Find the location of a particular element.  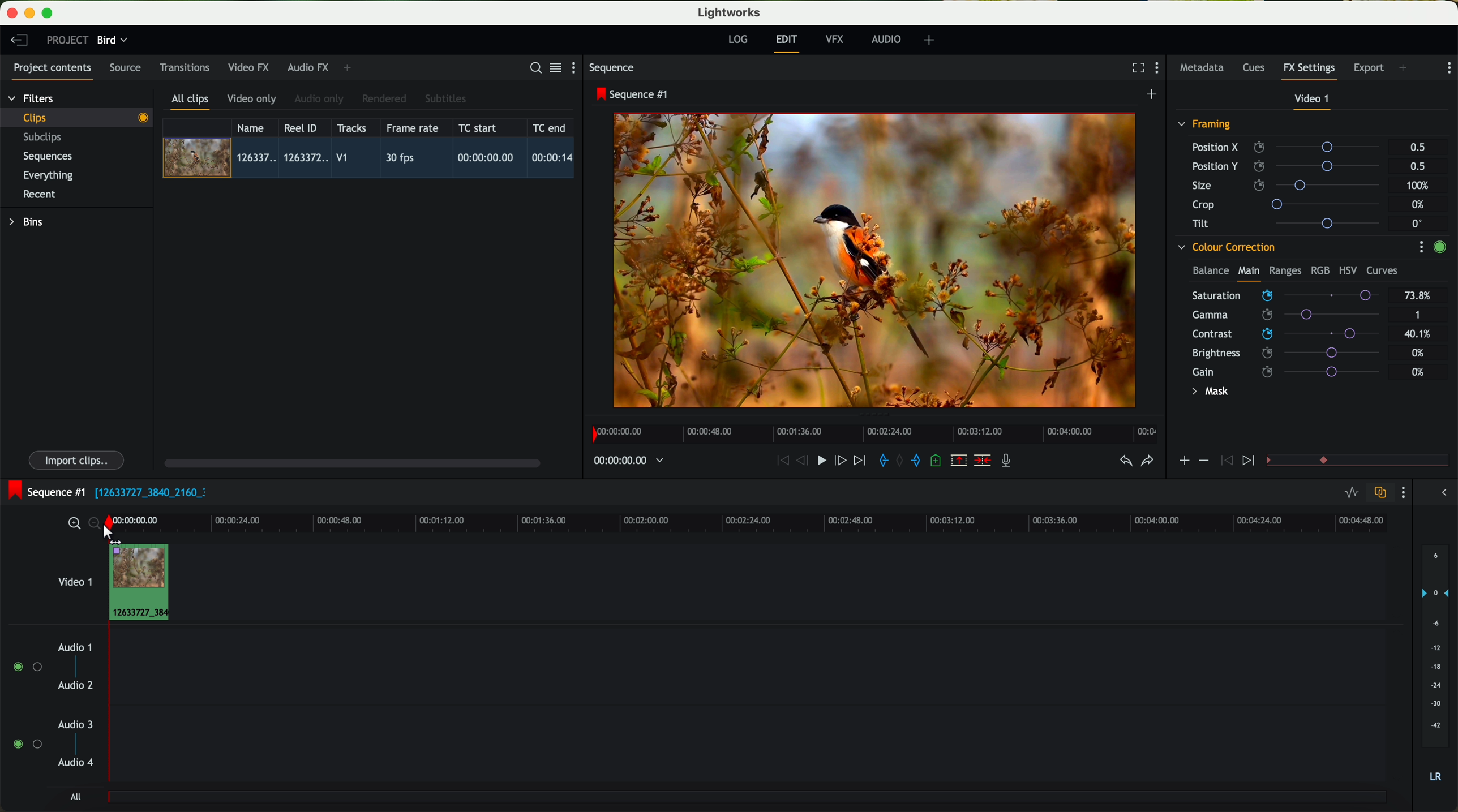

Lightworks is located at coordinates (730, 12).